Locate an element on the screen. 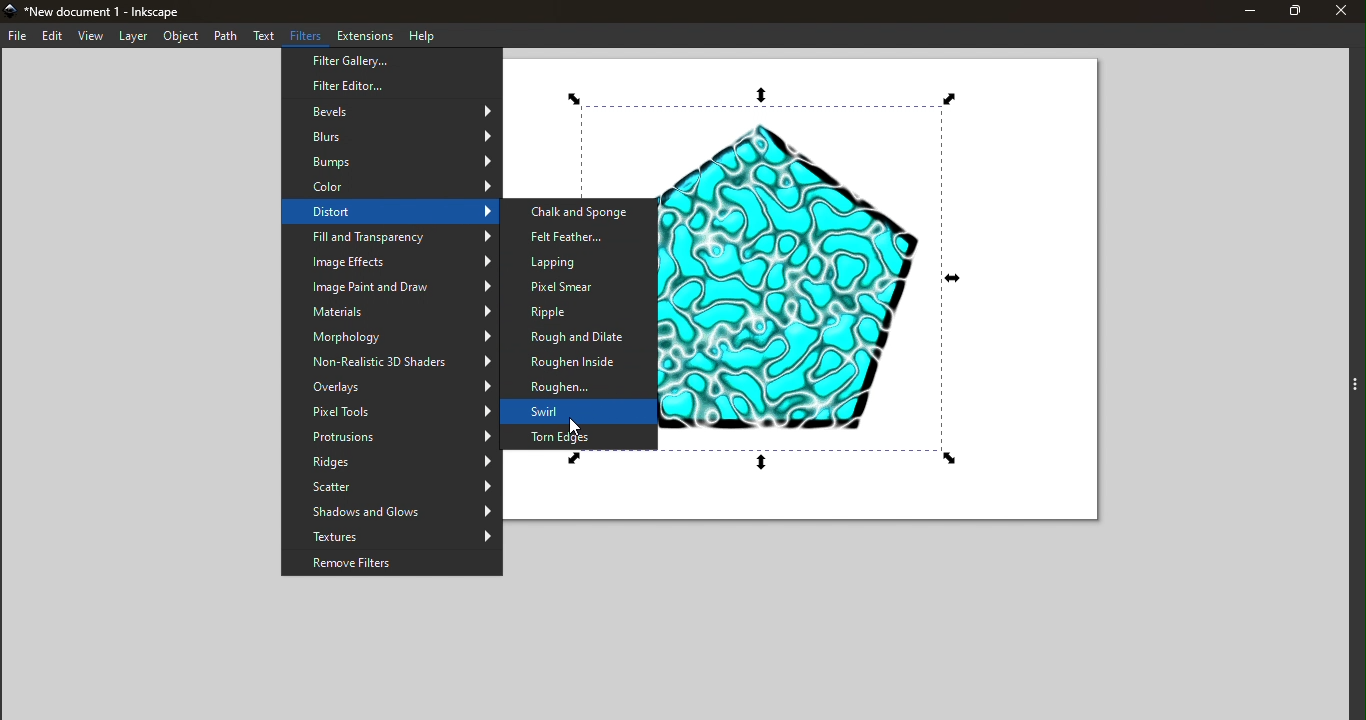 The image size is (1366, 720). Ripple is located at coordinates (580, 314).